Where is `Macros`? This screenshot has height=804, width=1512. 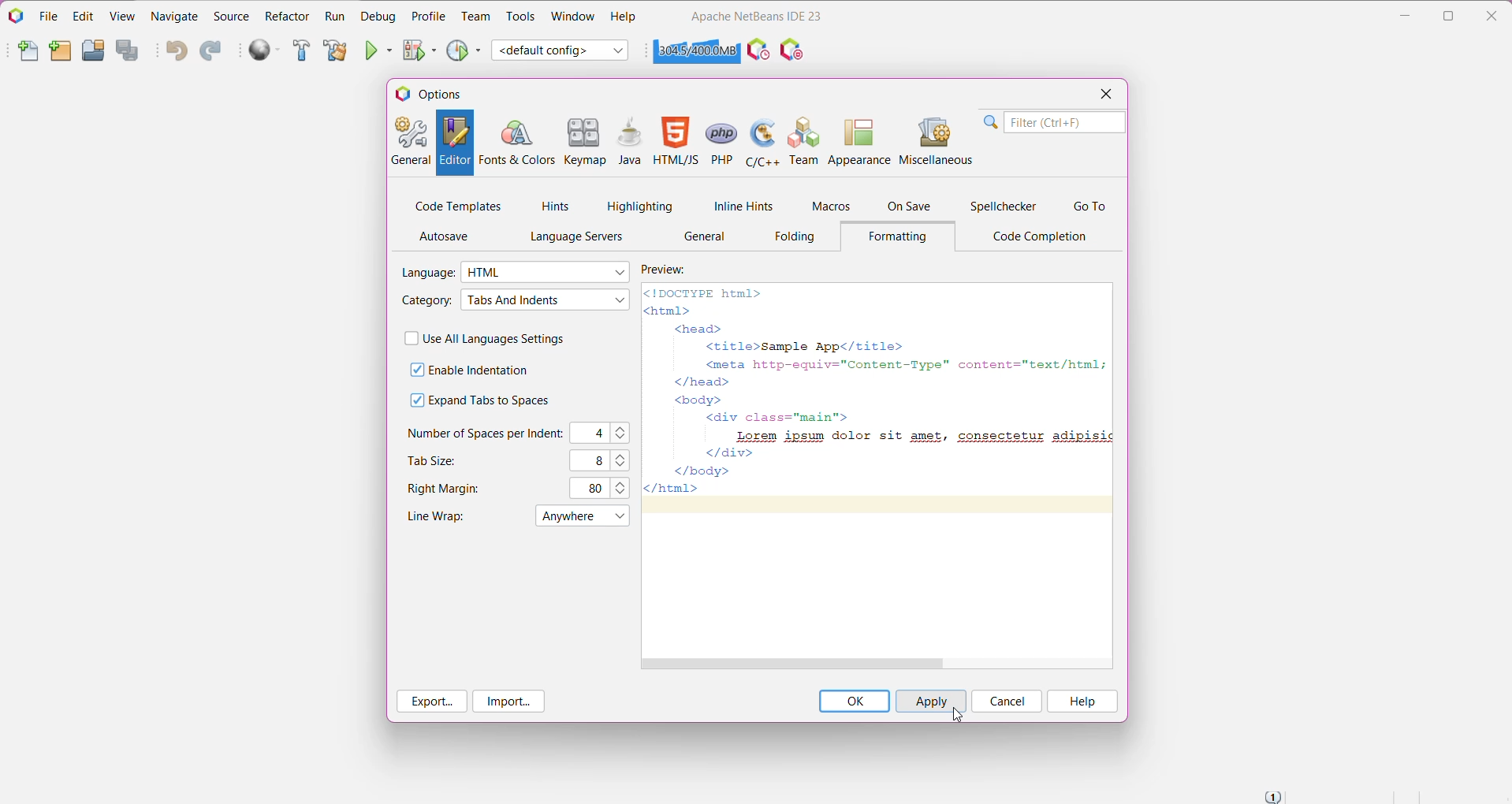 Macros is located at coordinates (829, 208).